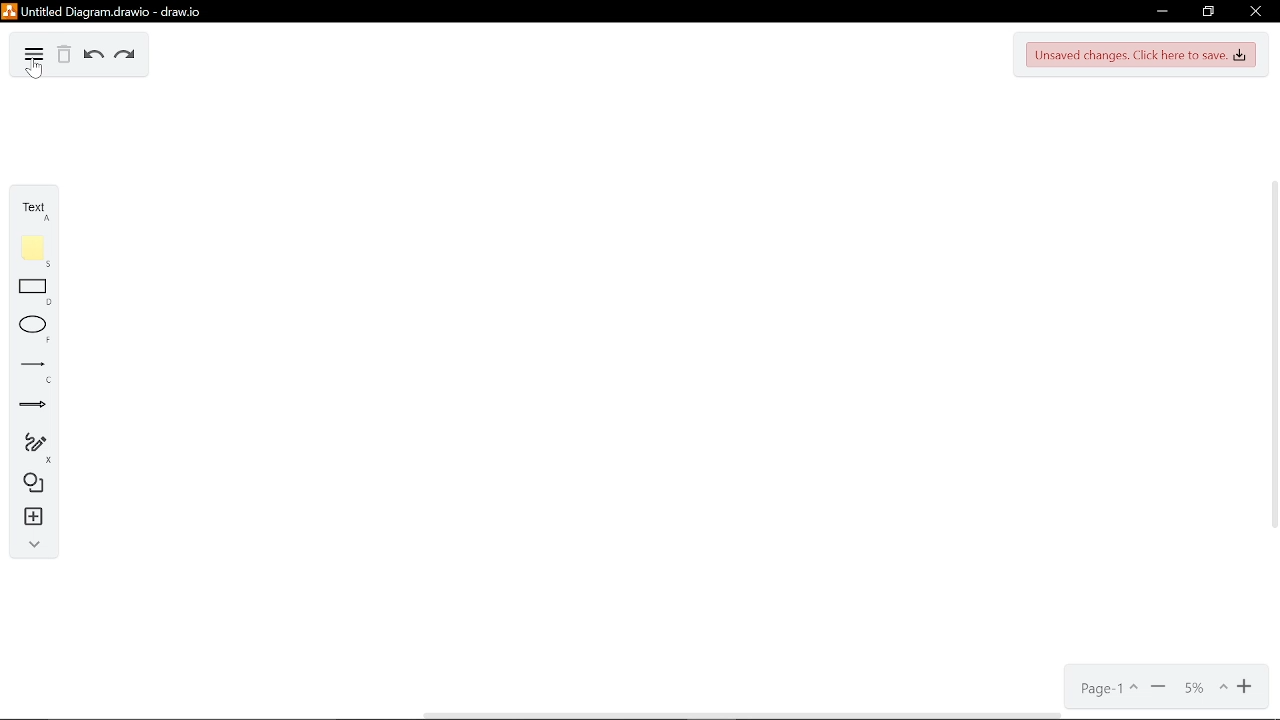  What do you see at coordinates (30, 544) in the screenshot?
I see `Collapse` at bounding box center [30, 544].